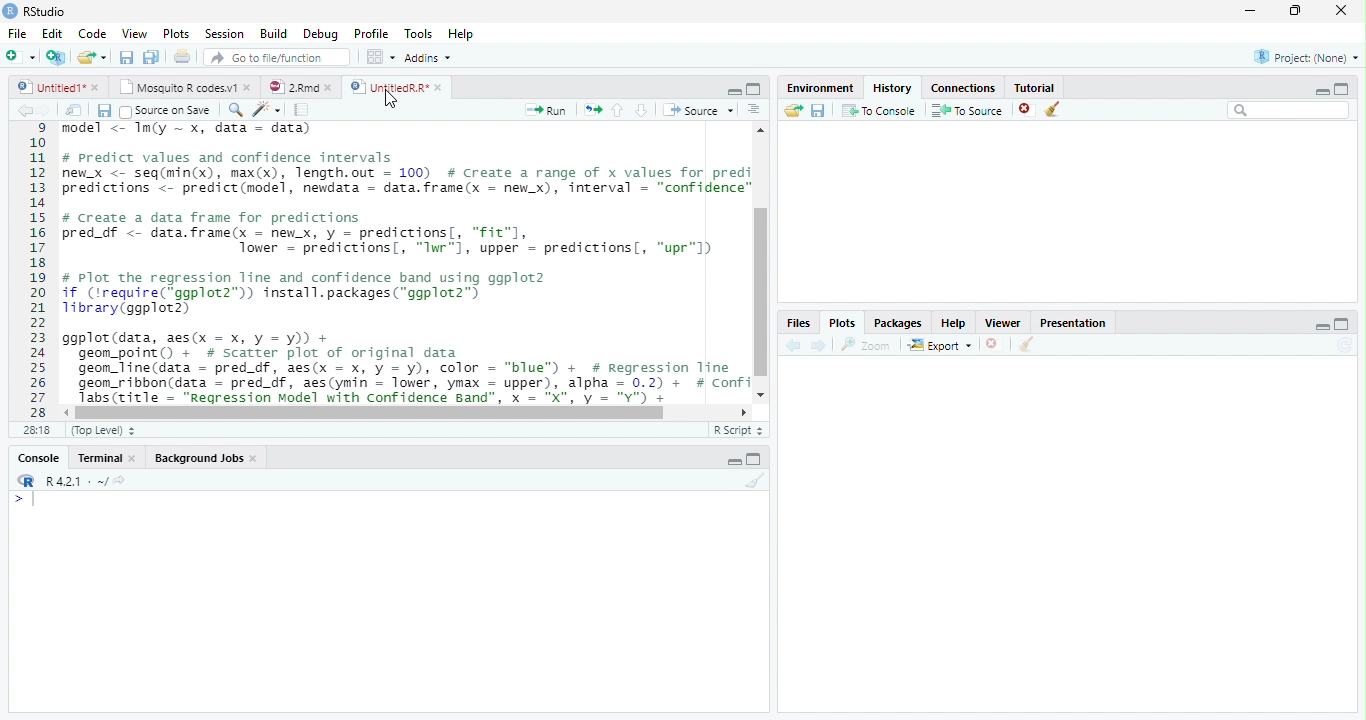  What do you see at coordinates (1307, 56) in the screenshot?
I see `Project (None)` at bounding box center [1307, 56].